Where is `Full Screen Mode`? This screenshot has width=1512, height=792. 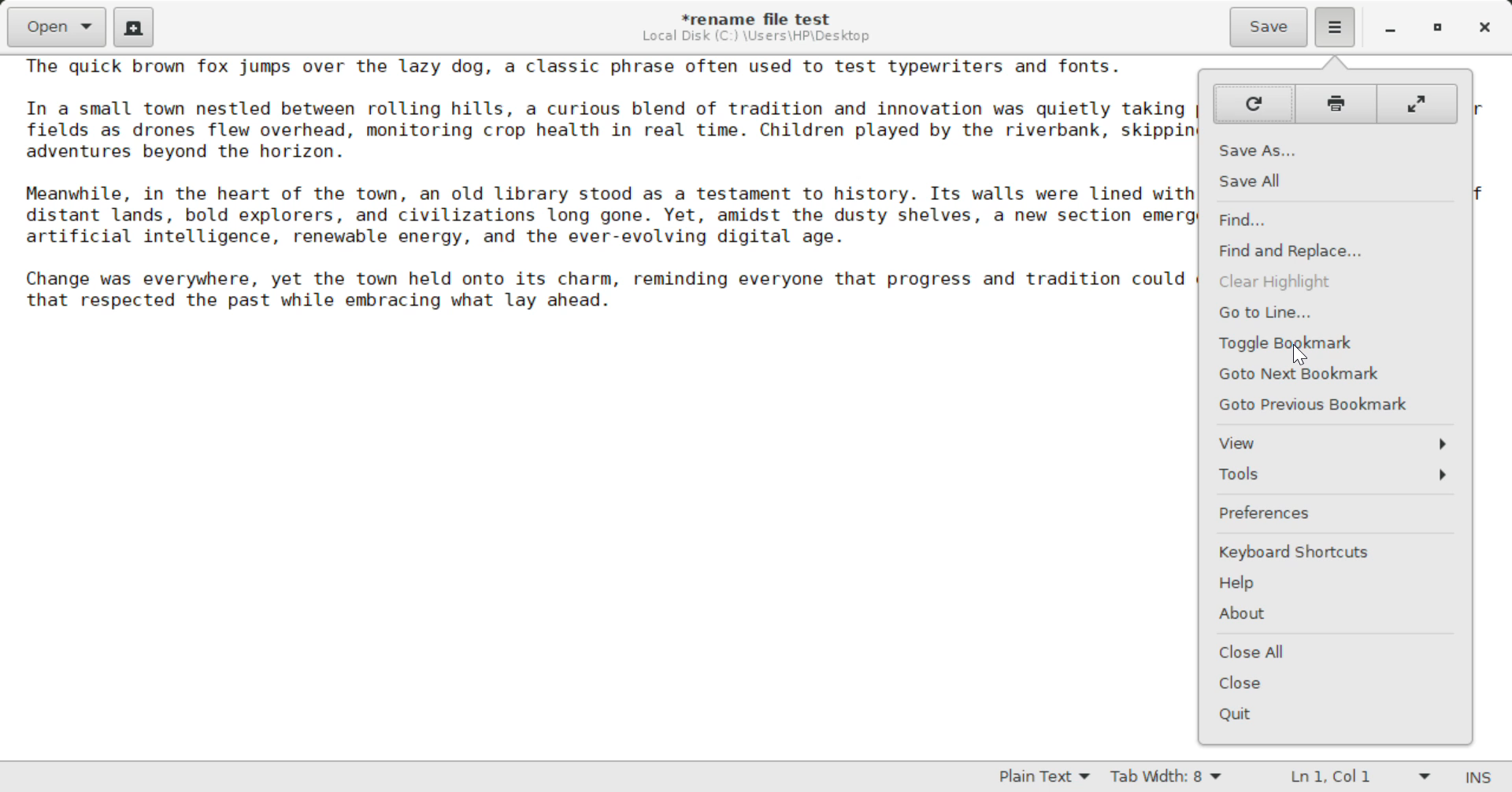 Full Screen Mode is located at coordinates (1421, 103).